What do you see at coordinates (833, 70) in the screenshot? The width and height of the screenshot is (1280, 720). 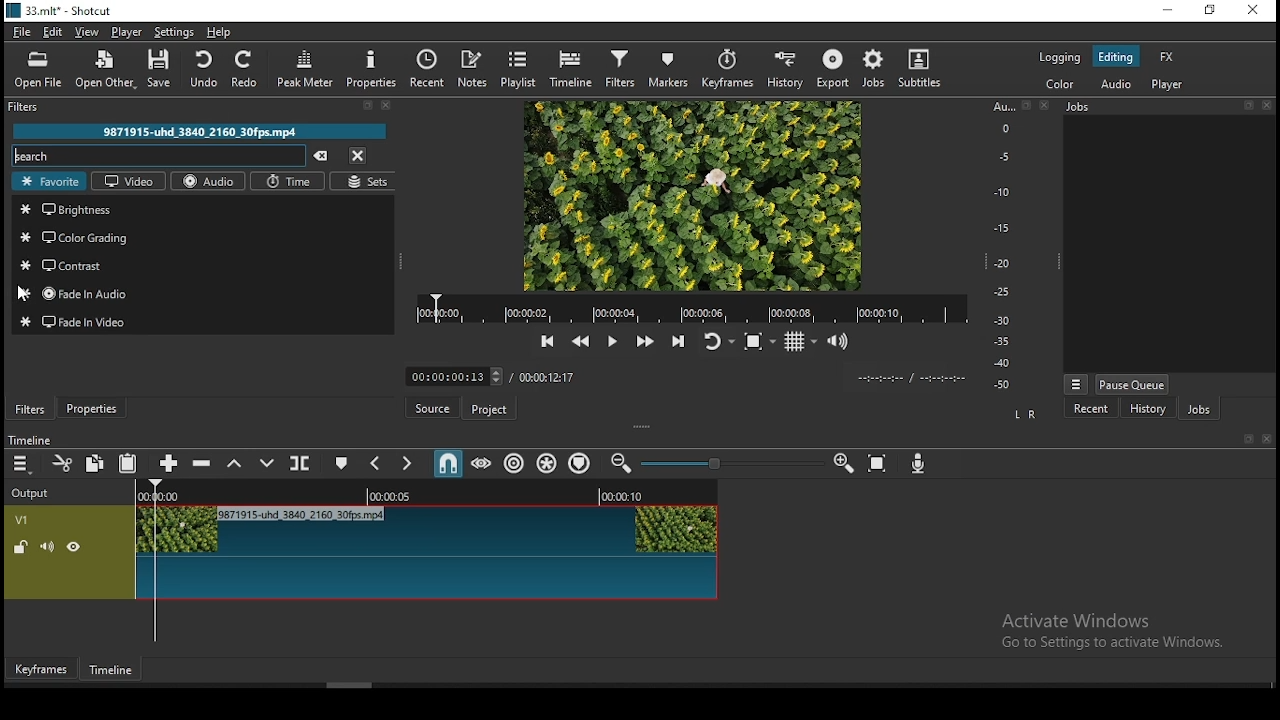 I see `export` at bounding box center [833, 70].